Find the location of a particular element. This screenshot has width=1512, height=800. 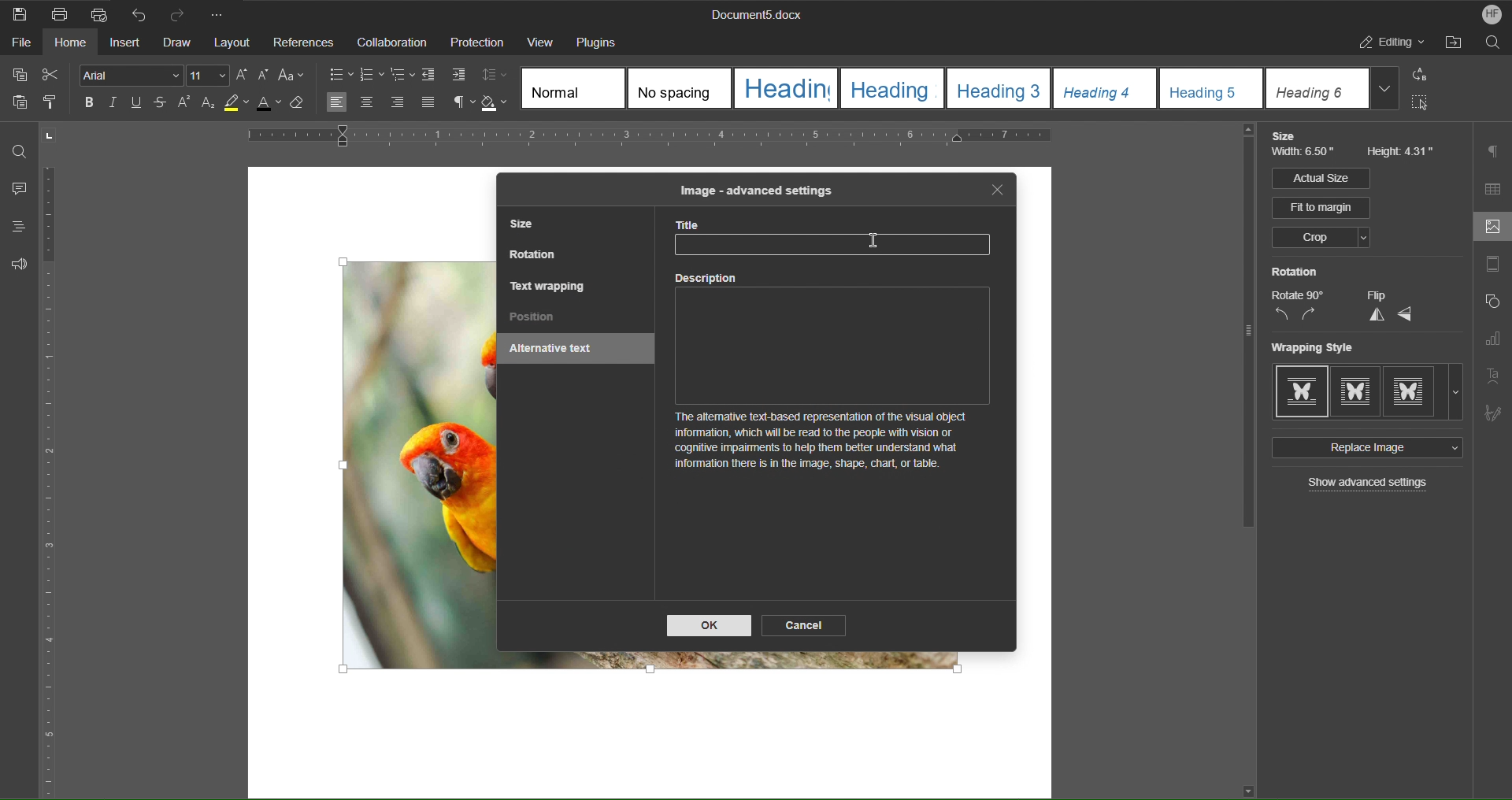

Bold is located at coordinates (87, 102).